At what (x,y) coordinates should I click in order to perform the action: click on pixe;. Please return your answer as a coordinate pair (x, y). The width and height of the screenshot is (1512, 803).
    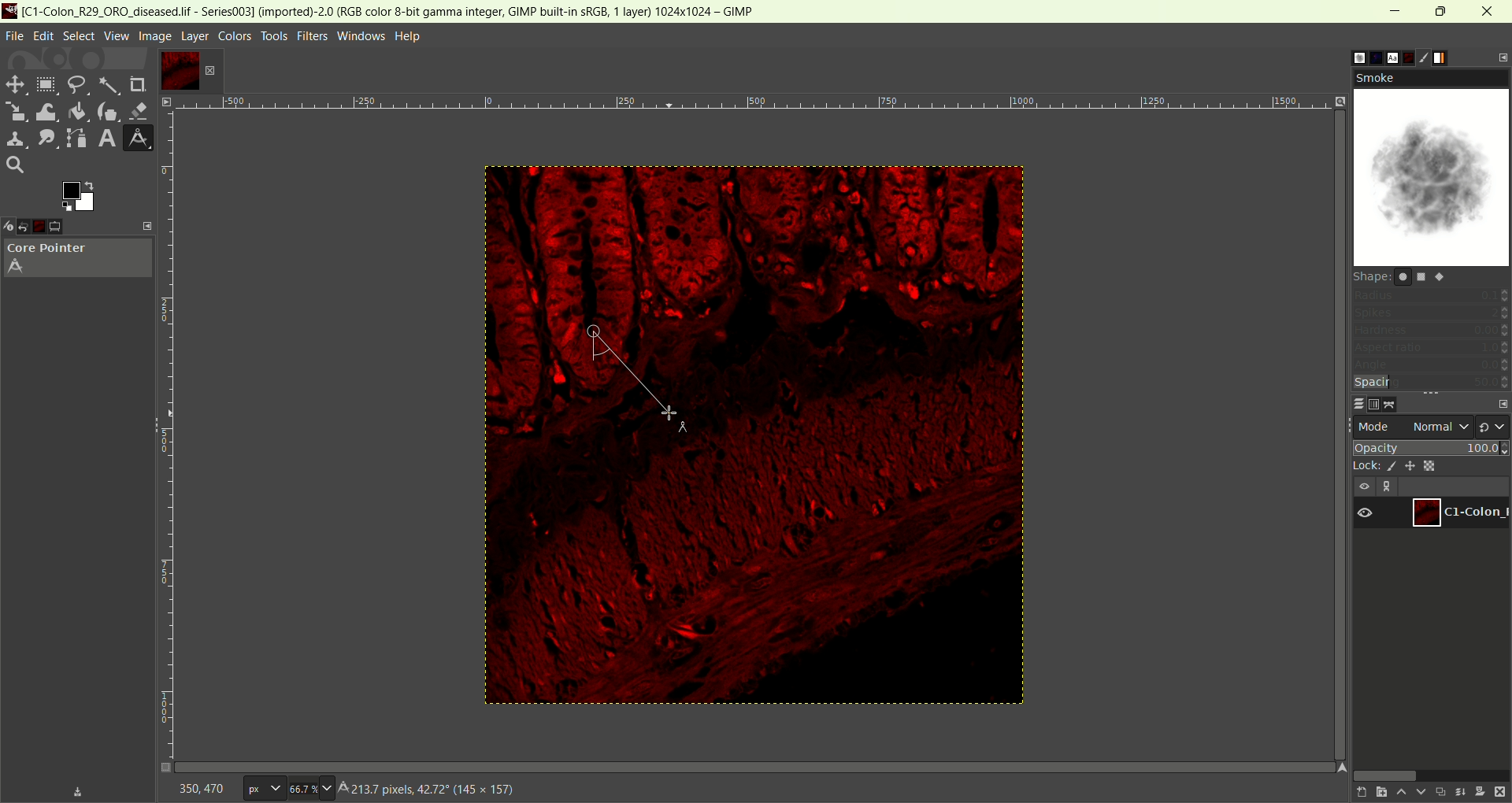
    Looking at the image, I should click on (261, 790).